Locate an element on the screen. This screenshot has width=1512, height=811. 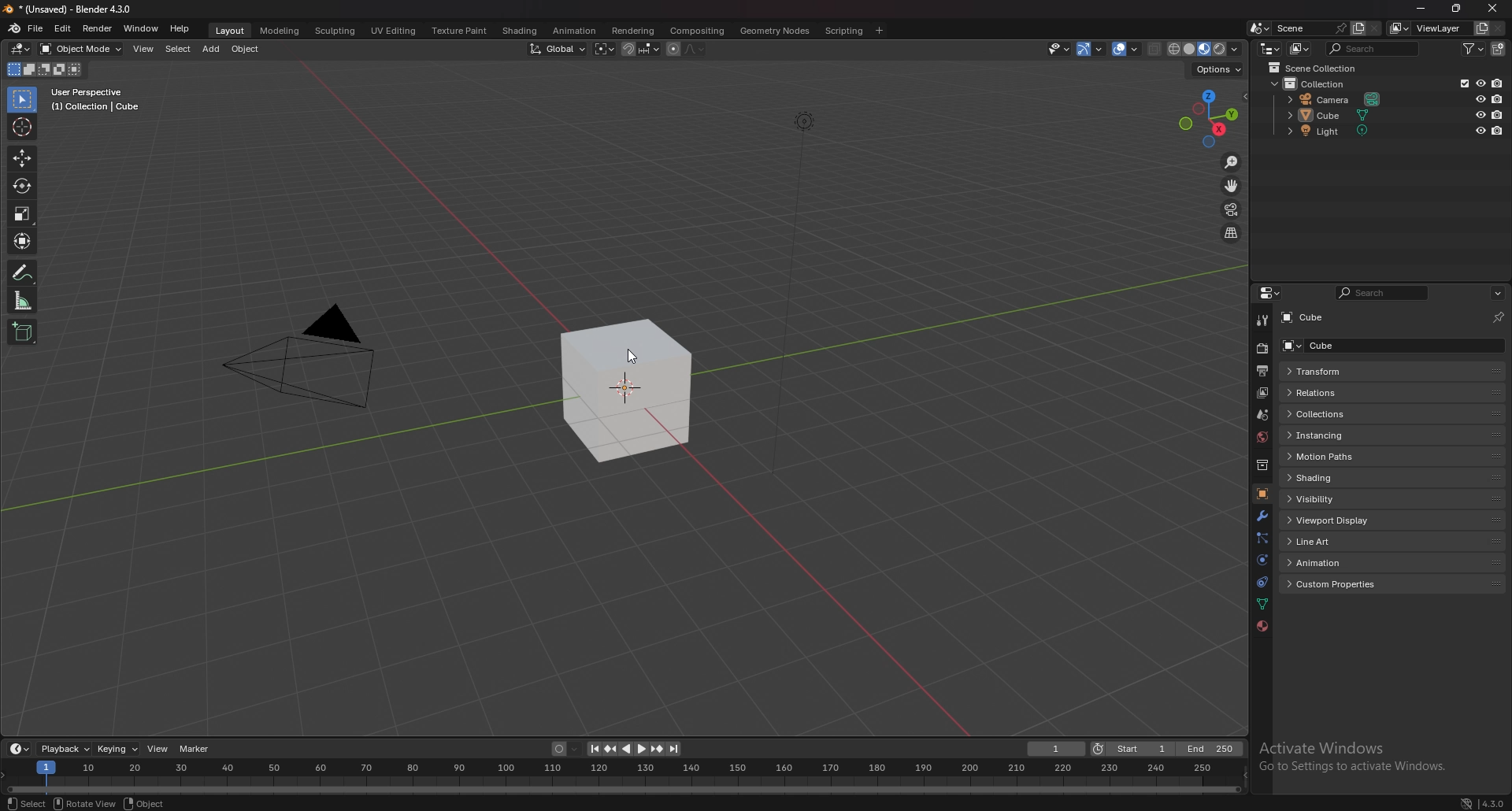
transform is located at coordinates (1334, 372).